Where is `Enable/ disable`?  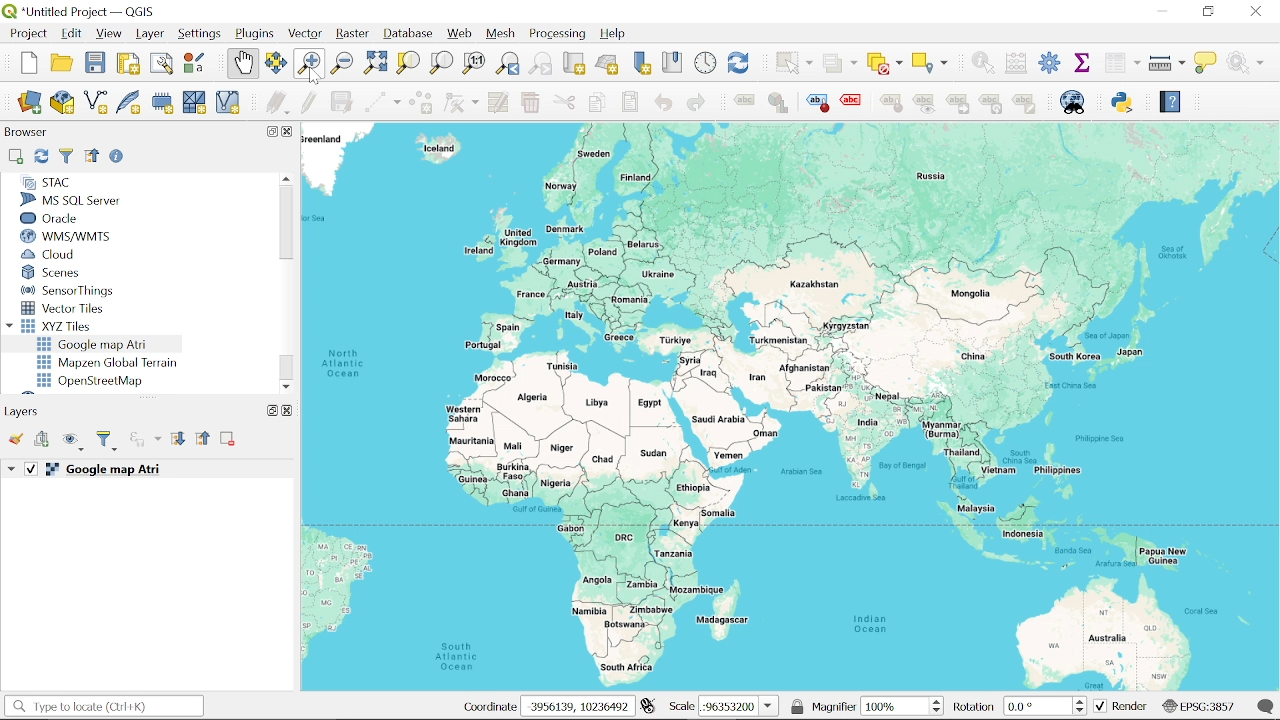
Enable/ disable is located at coordinates (119, 158).